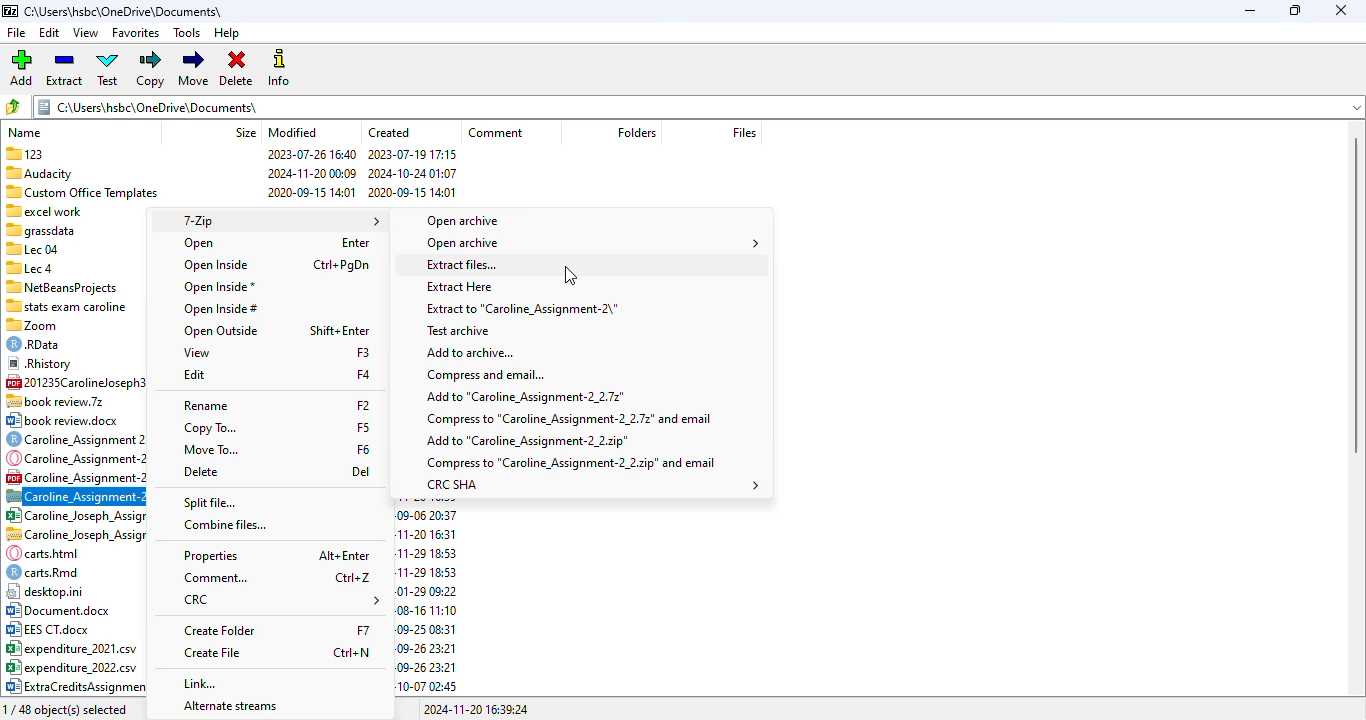 The height and width of the screenshot is (720, 1366). I want to click on add to archive, so click(470, 352).